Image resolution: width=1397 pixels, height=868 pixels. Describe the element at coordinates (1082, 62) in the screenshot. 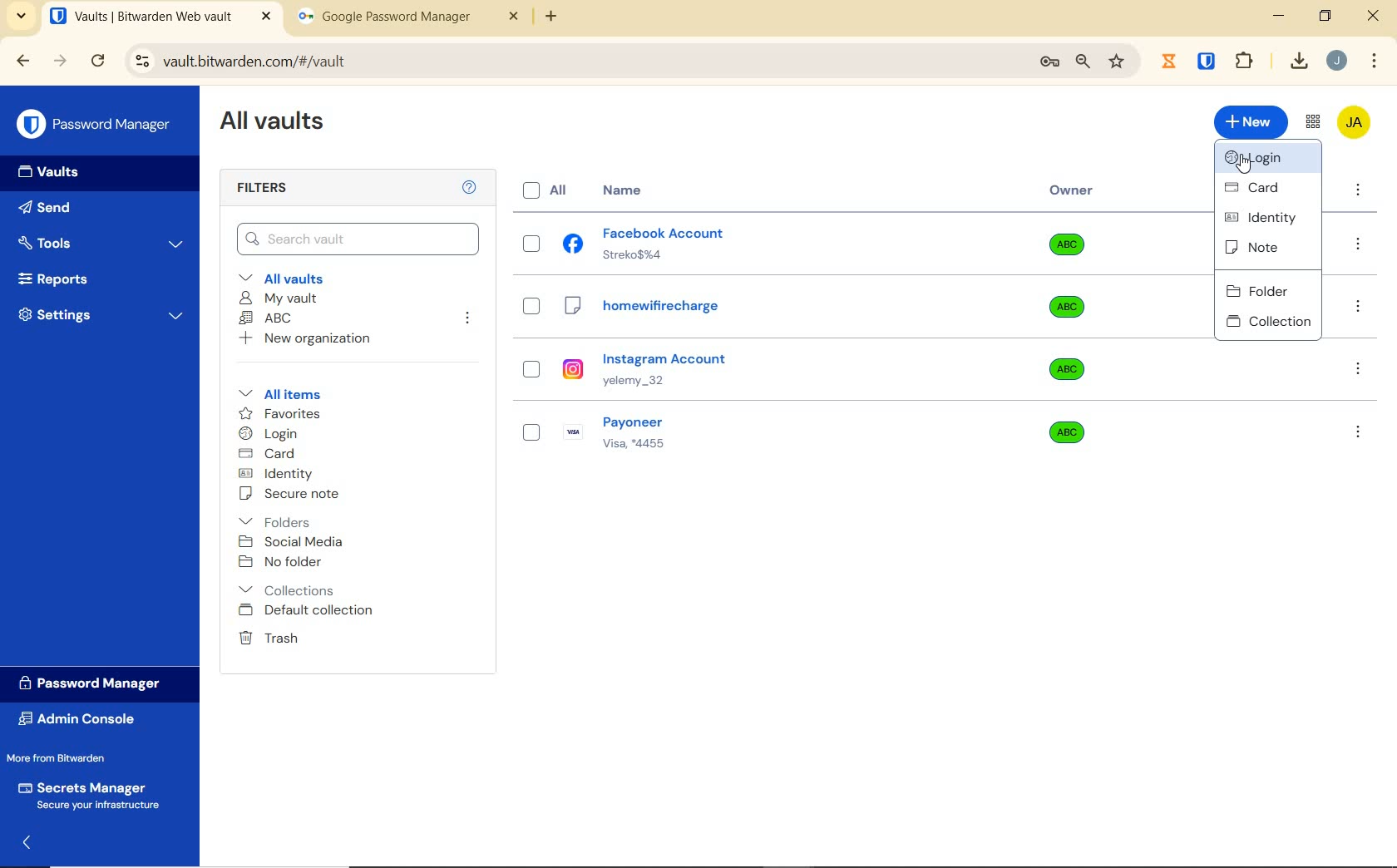

I see `zoom` at that location.